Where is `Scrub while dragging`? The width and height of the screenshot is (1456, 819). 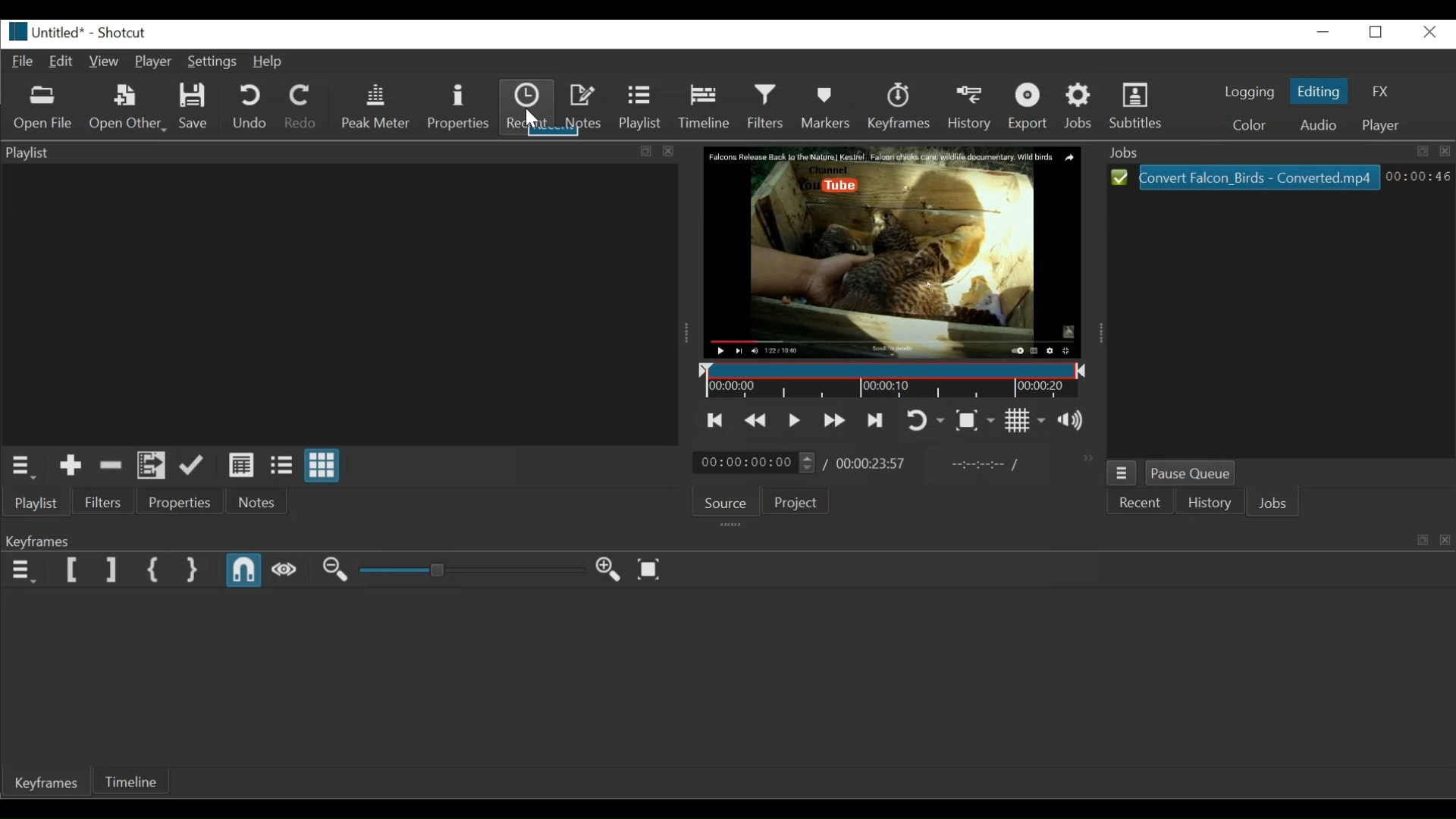
Scrub while dragging is located at coordinates (285, 570).